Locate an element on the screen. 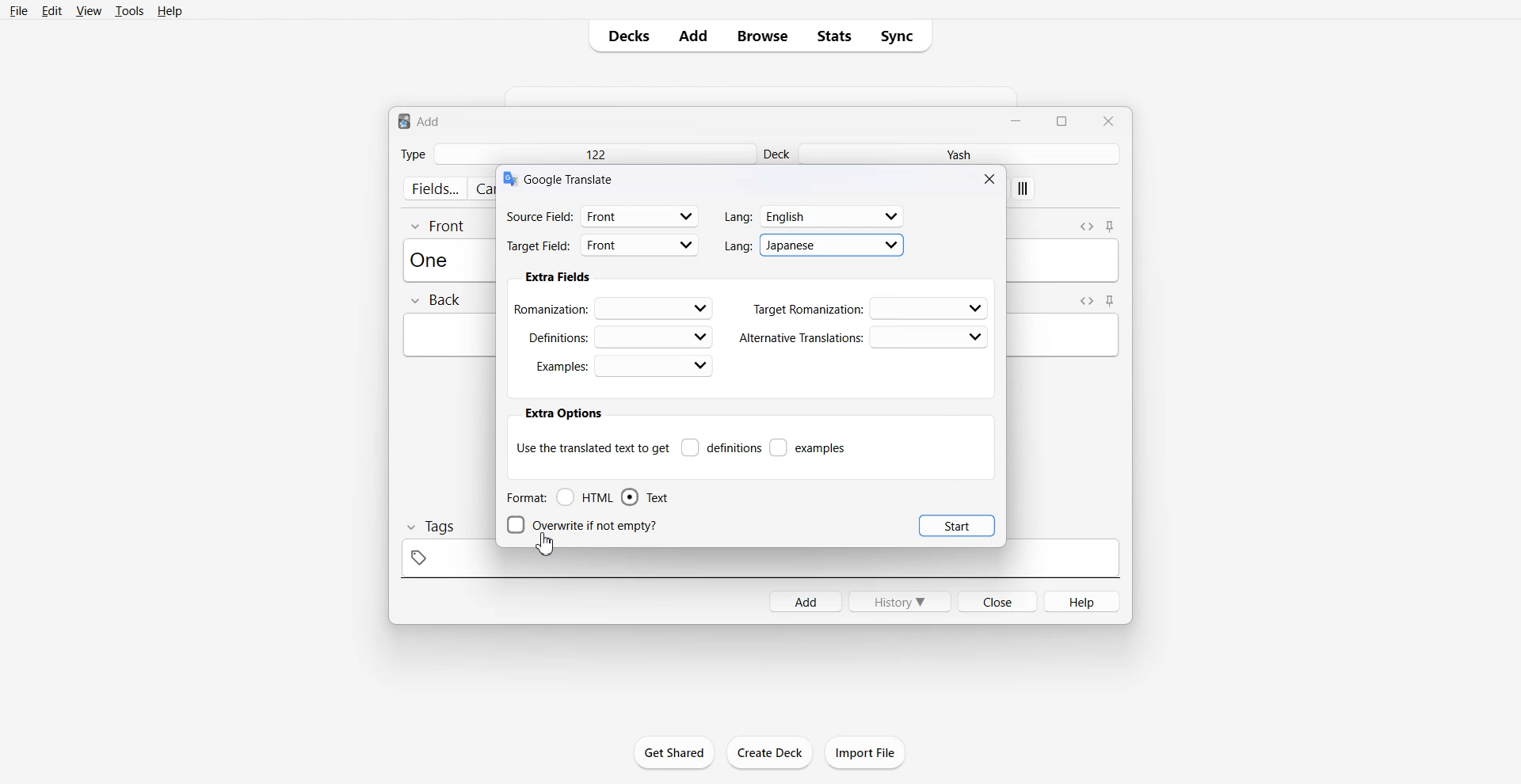 The height and width of the screenshot is (784, 1521). Extra fields is located at coordinates (558, 277).